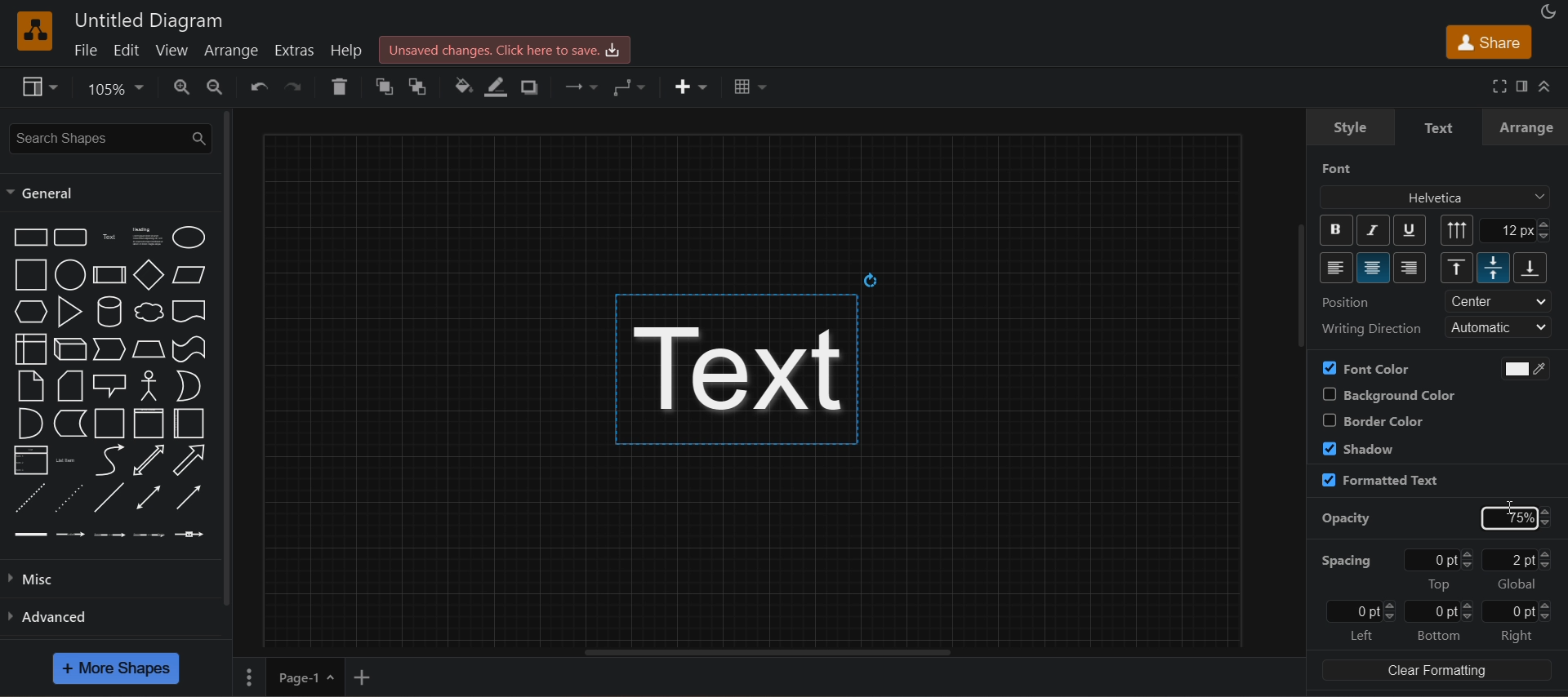  I want to click on shadow, so click(1359, 447).